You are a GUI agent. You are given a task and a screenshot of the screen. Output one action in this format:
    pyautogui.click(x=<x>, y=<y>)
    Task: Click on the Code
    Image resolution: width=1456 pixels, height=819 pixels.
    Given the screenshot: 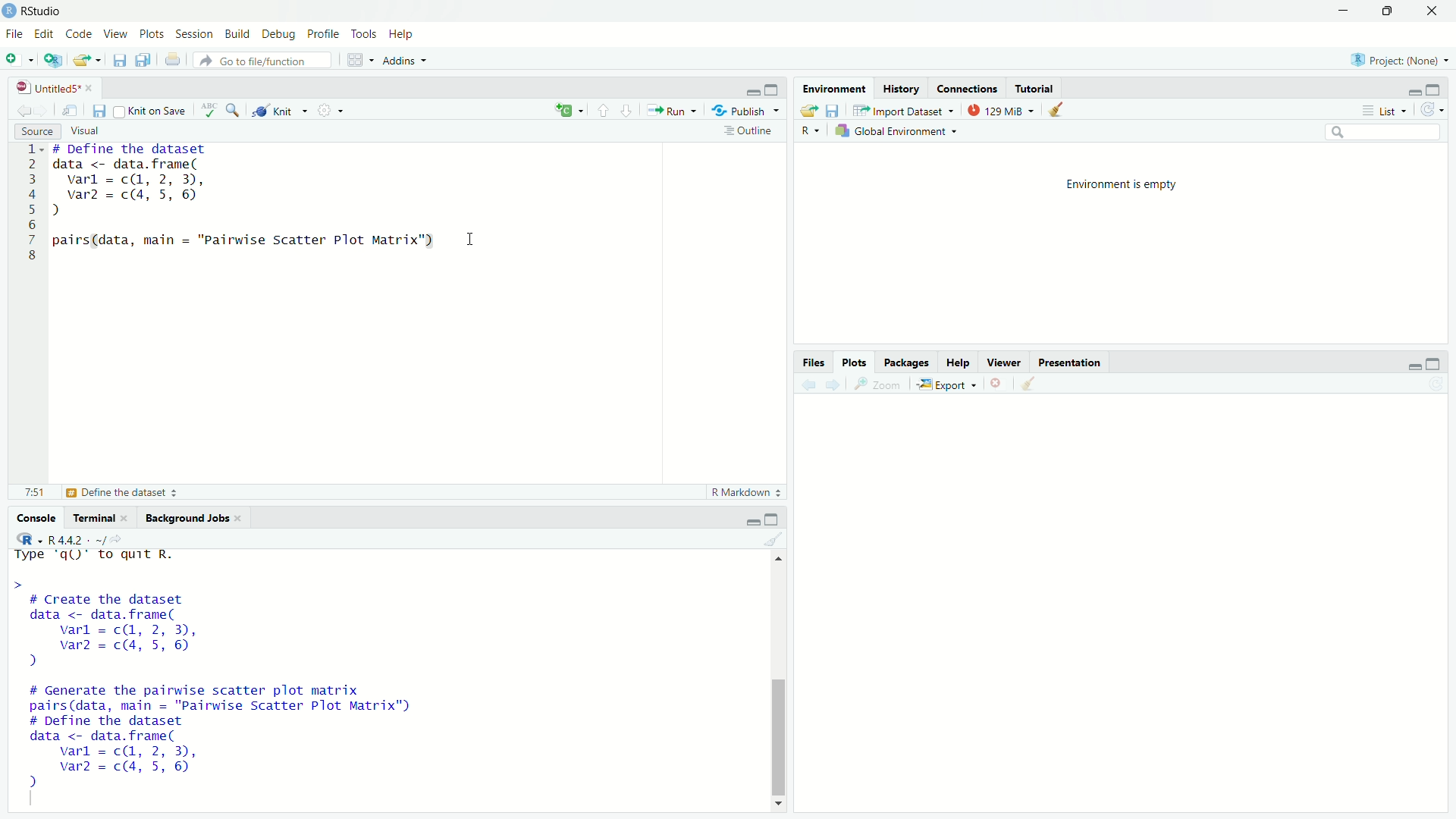 What is the action you would take?
    pyautogui.click(x=79, y=34)
    